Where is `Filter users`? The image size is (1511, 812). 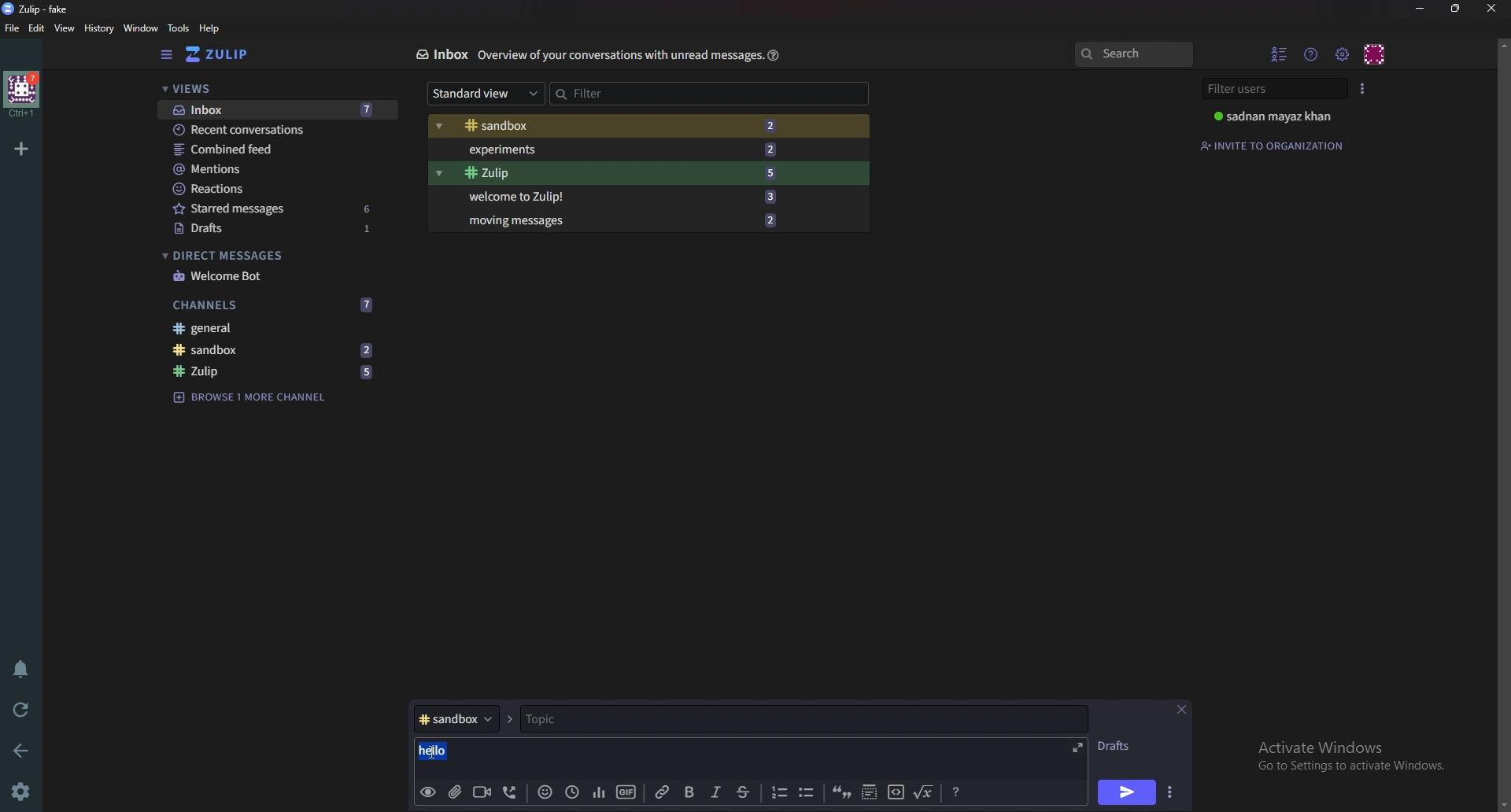 Filter users is located at coordinates (1269, 88).